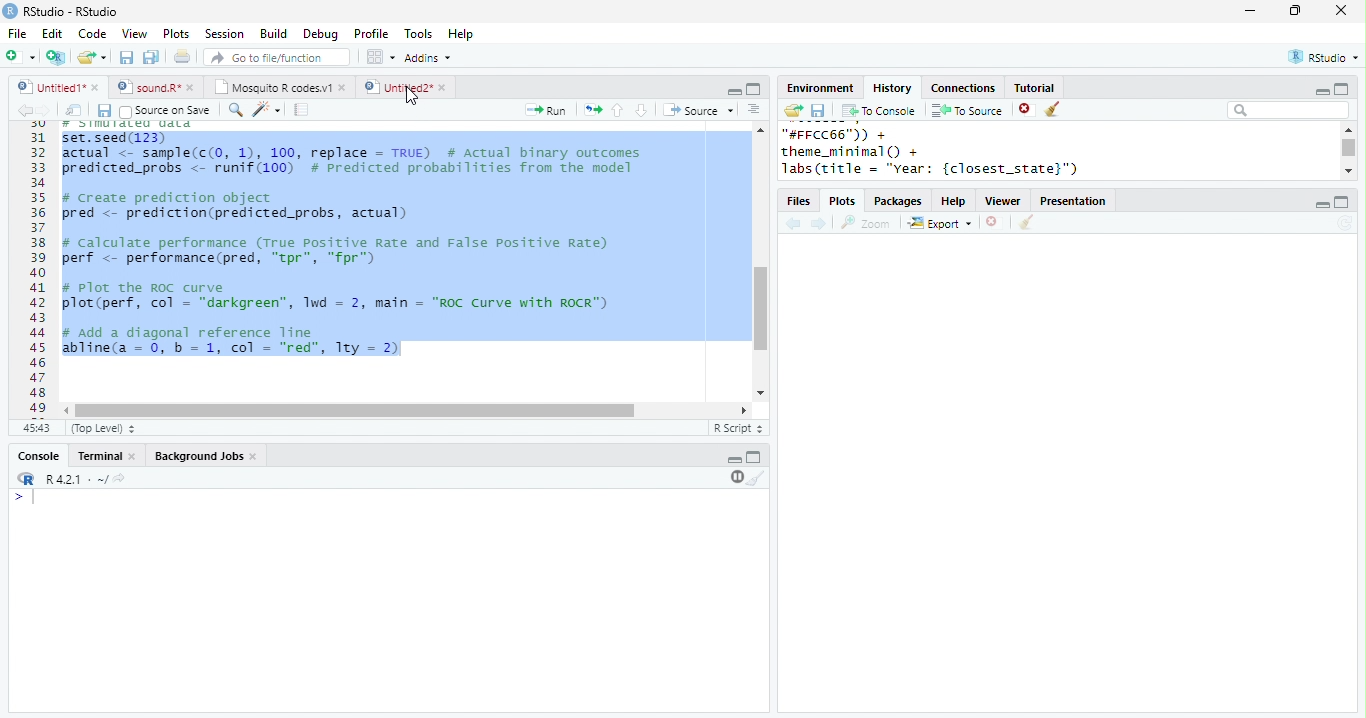  Describe the element at coordinates (97, 87) in the screenshot. I see `close` at that location.